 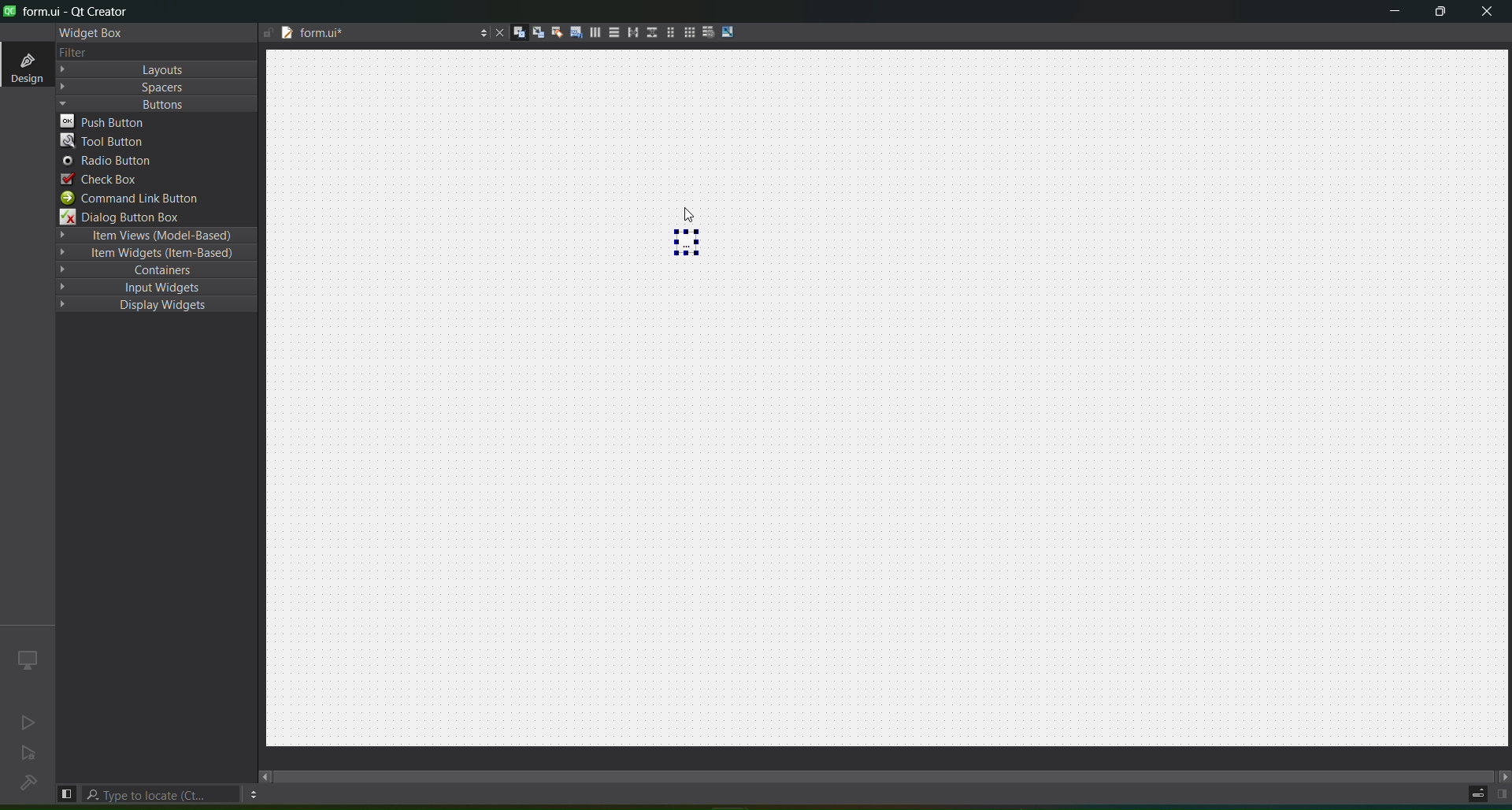 What do you see at coordinates (728, 32) in the screenshot?
I see `adjust size` at bounding box center [728, 32].